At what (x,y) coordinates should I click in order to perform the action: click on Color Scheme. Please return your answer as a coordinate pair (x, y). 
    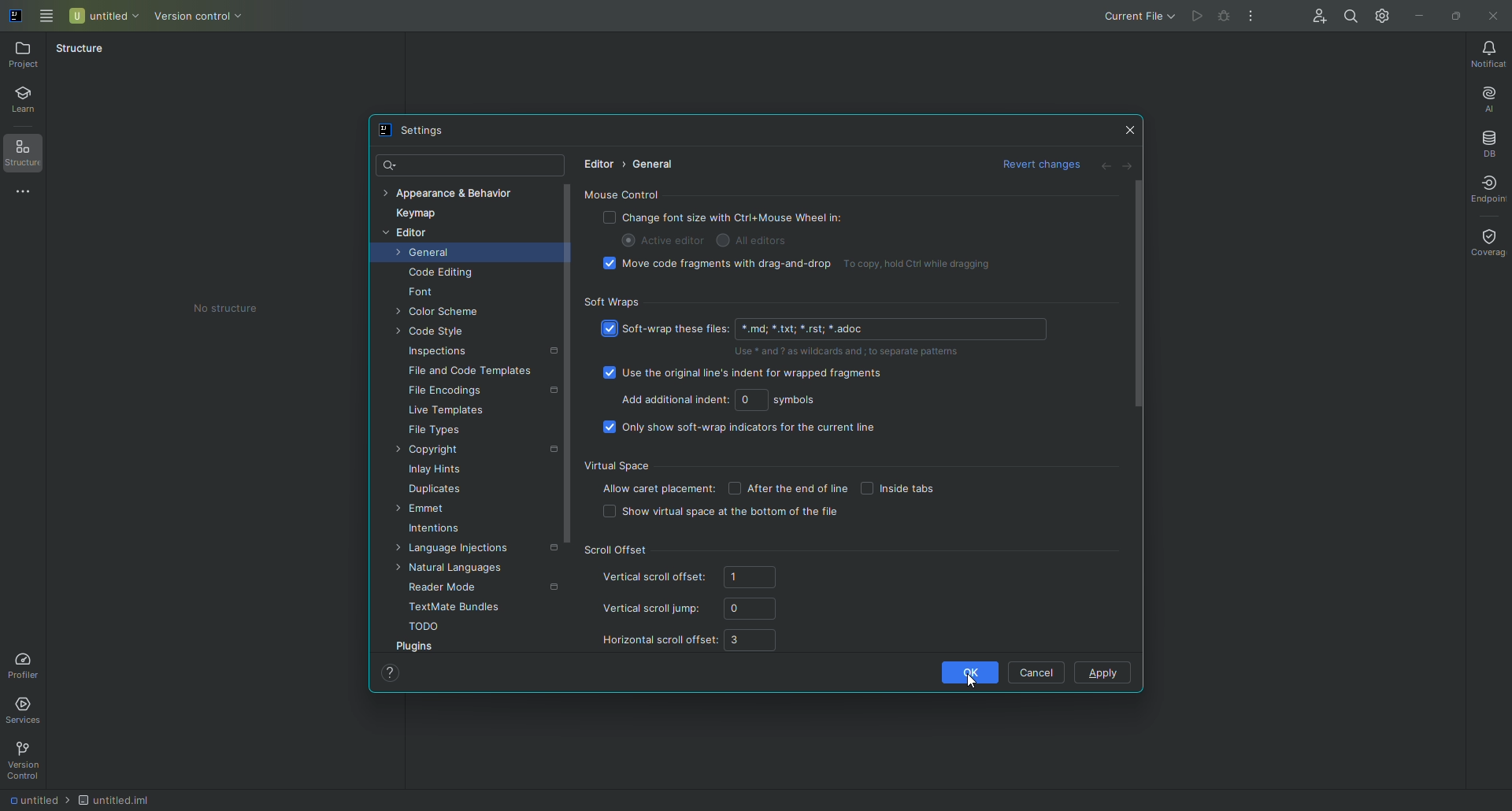
    Looking at the image, I should click on (443, 313).